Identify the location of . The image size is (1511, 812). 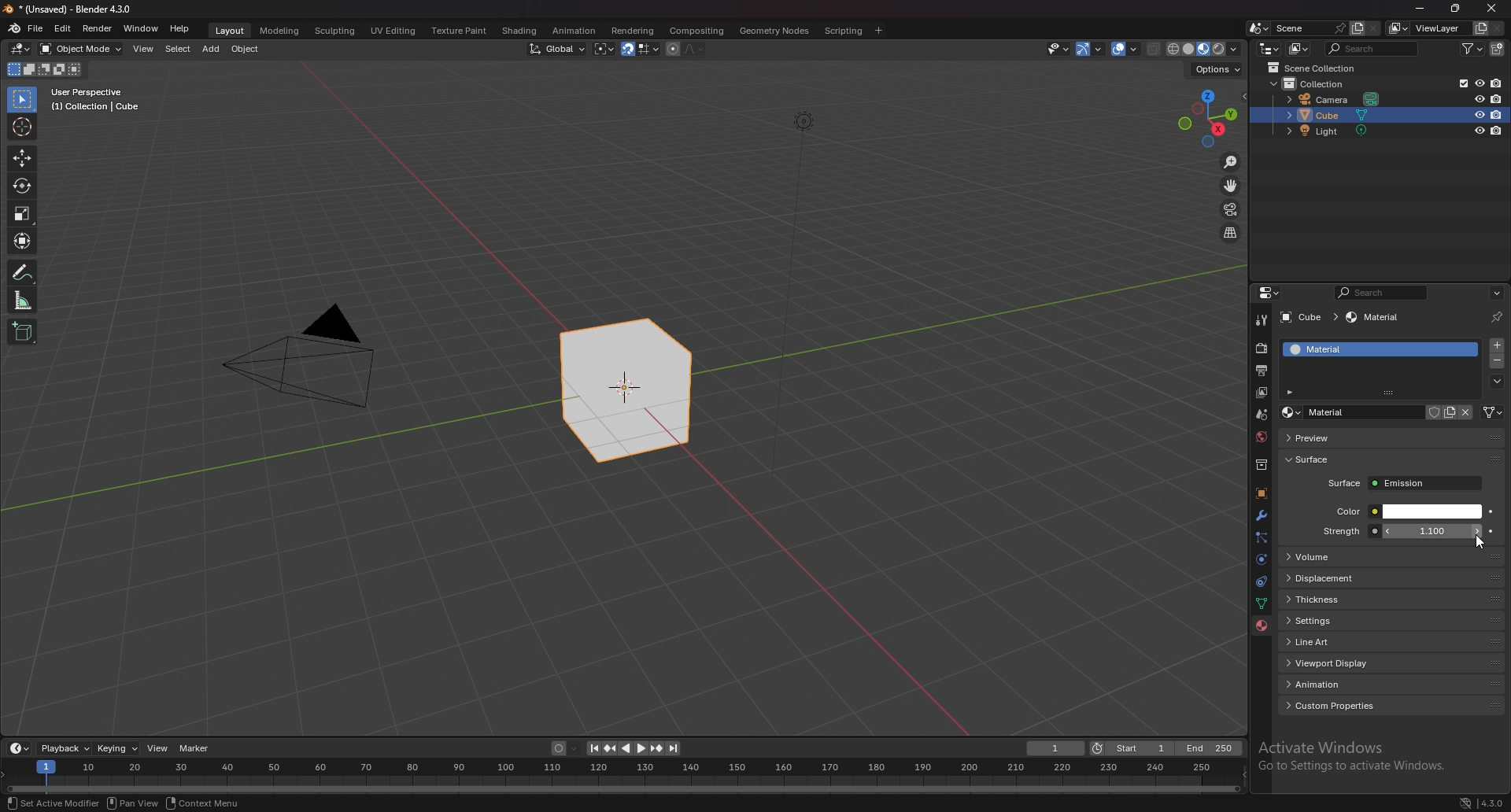
(1491, 801).